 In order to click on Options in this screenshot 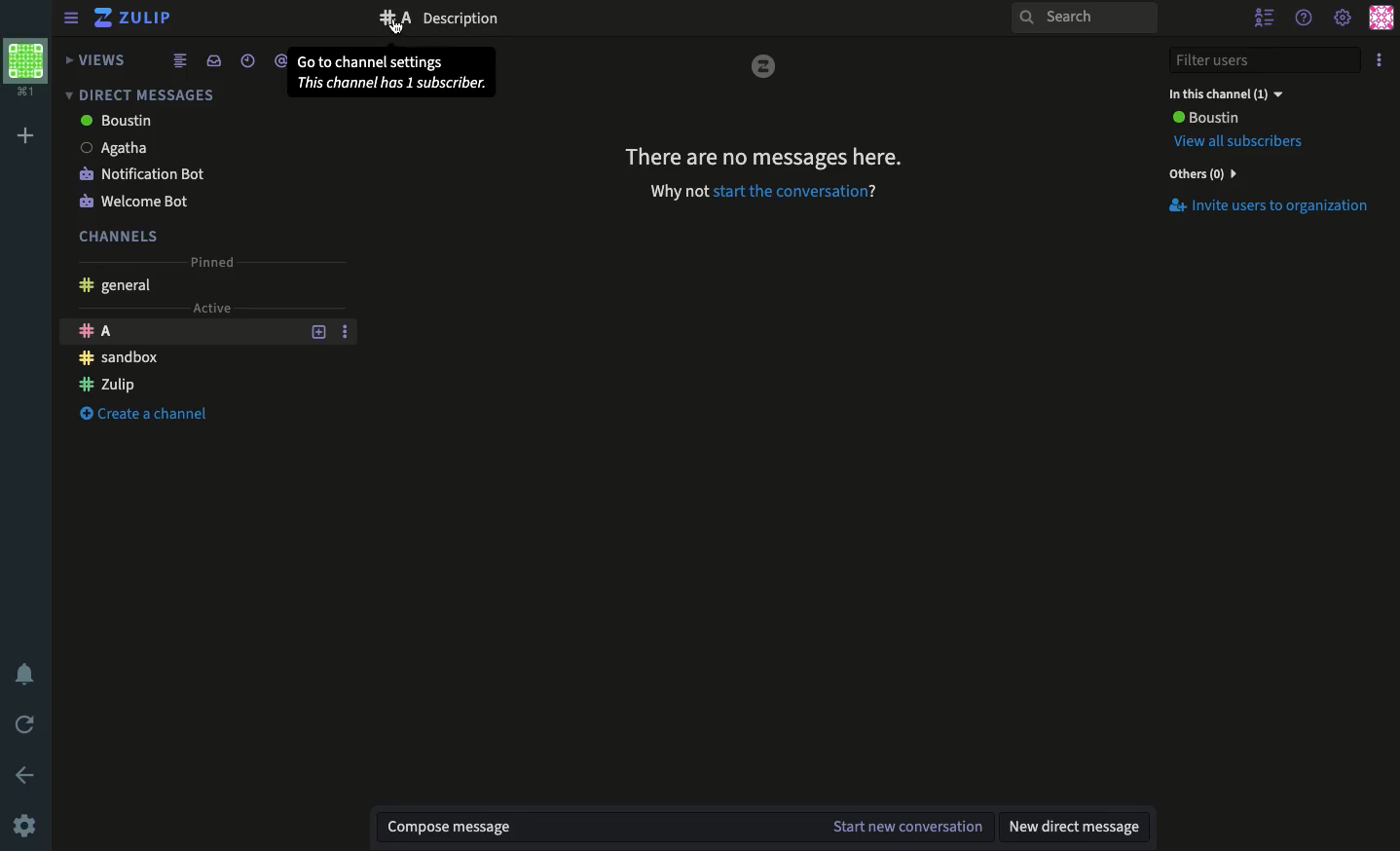, I will do `click(1381, 60)`.